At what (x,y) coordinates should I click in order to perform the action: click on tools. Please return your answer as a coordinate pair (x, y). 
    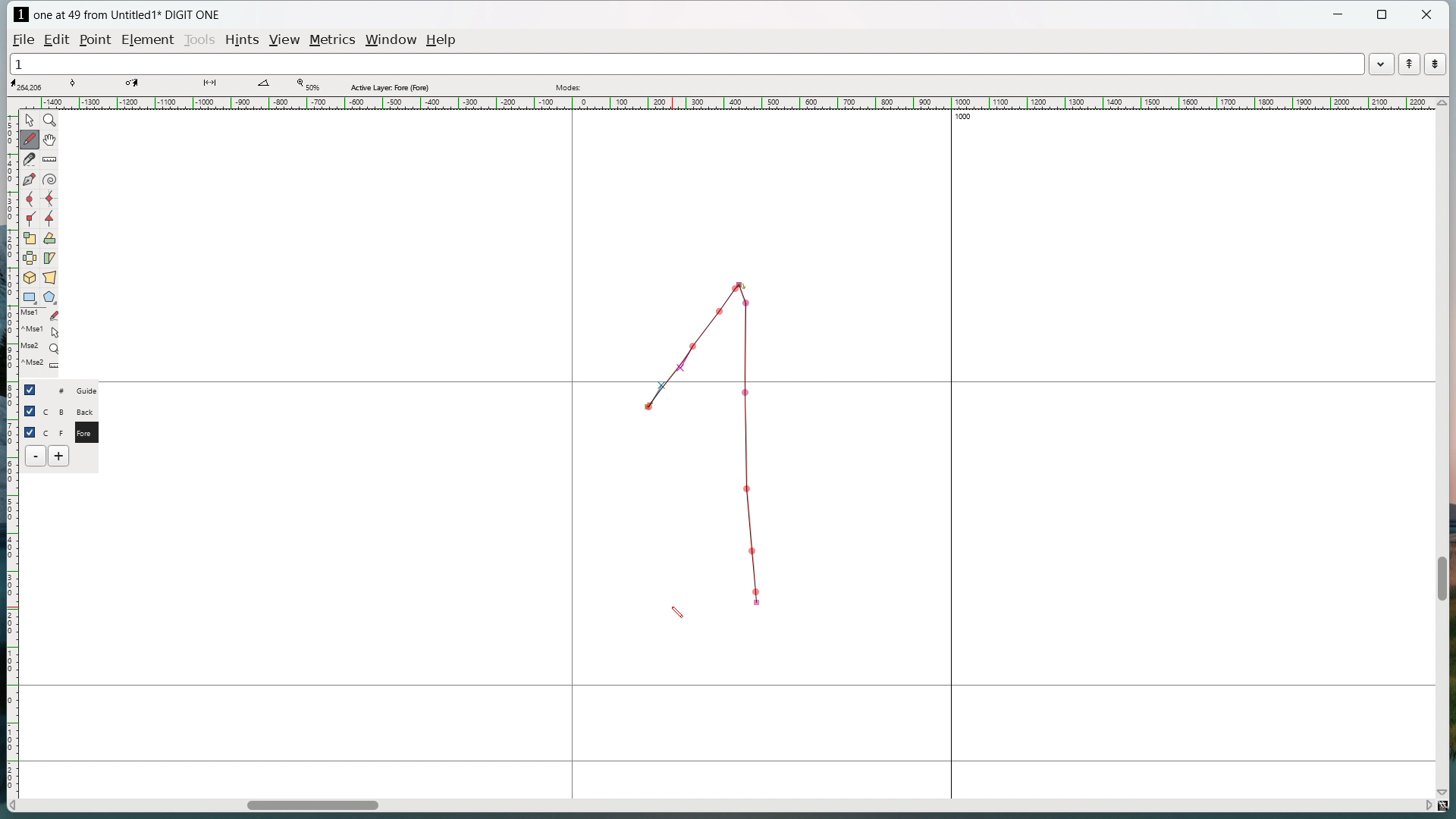
    Looking at the image, I should click on (199, 41).